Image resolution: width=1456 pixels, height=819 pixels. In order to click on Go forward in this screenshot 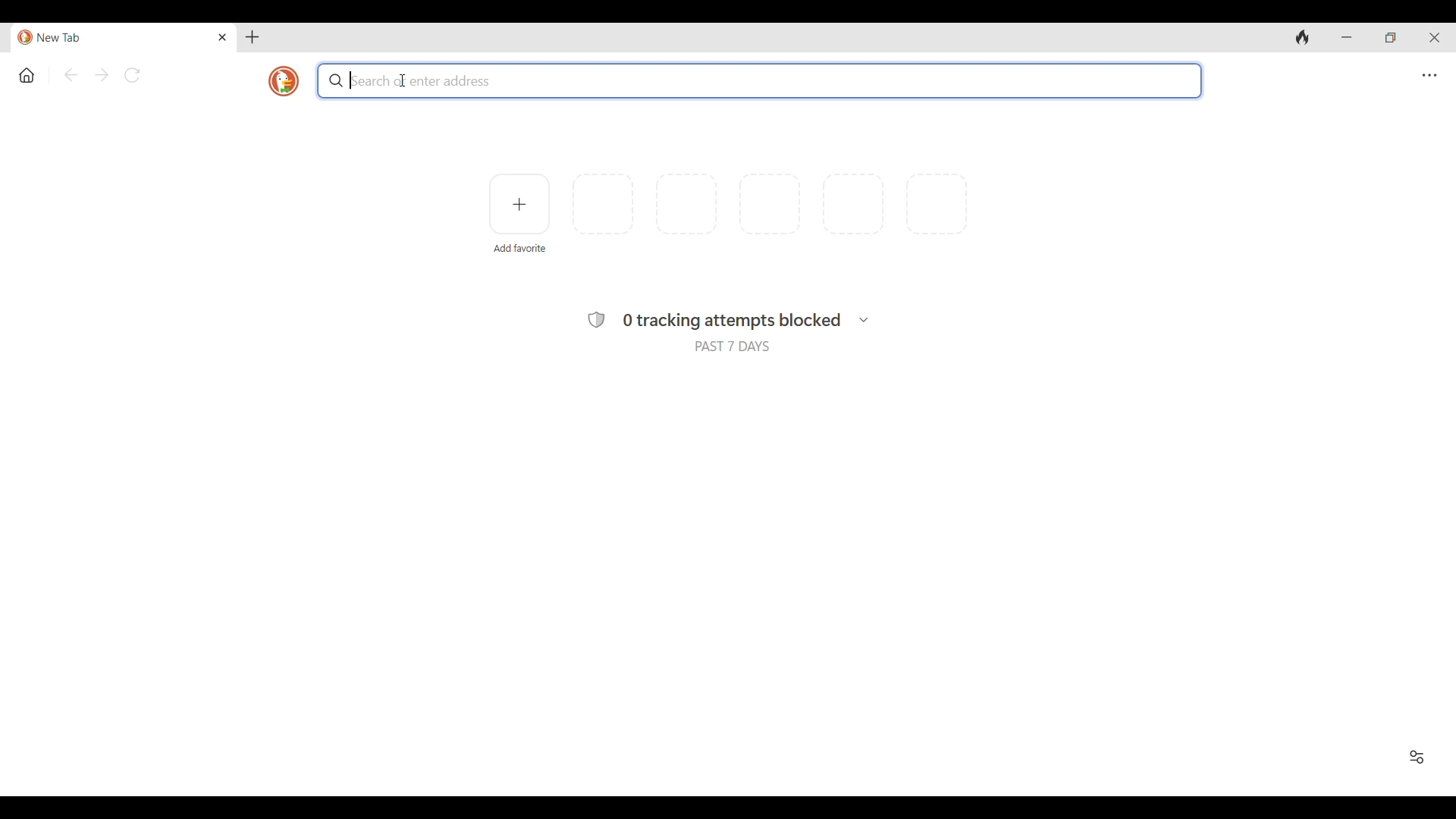, I will do `click(102, 74)`.